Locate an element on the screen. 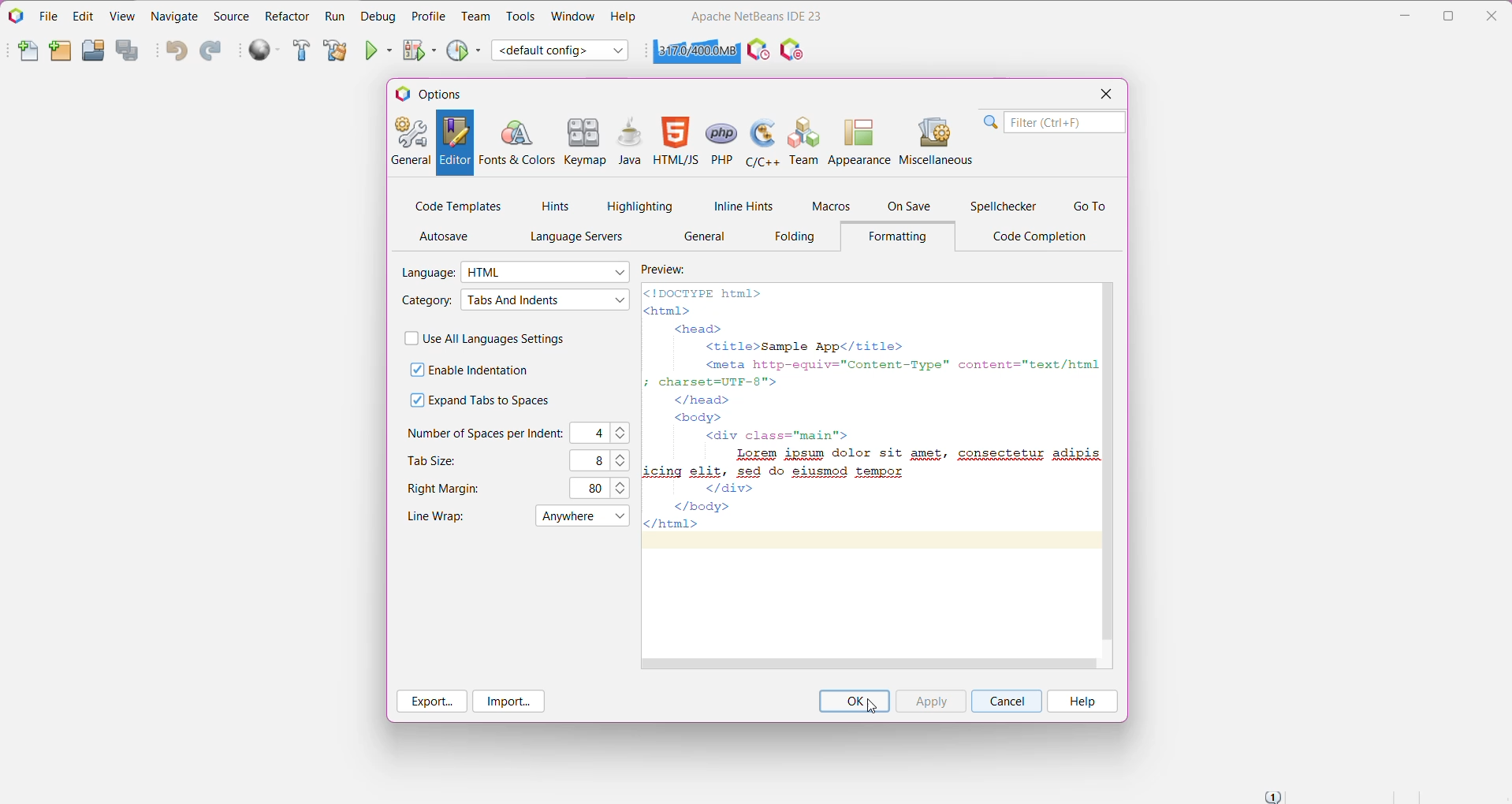  Clean and Build Project is located at coordinates (334, 51).